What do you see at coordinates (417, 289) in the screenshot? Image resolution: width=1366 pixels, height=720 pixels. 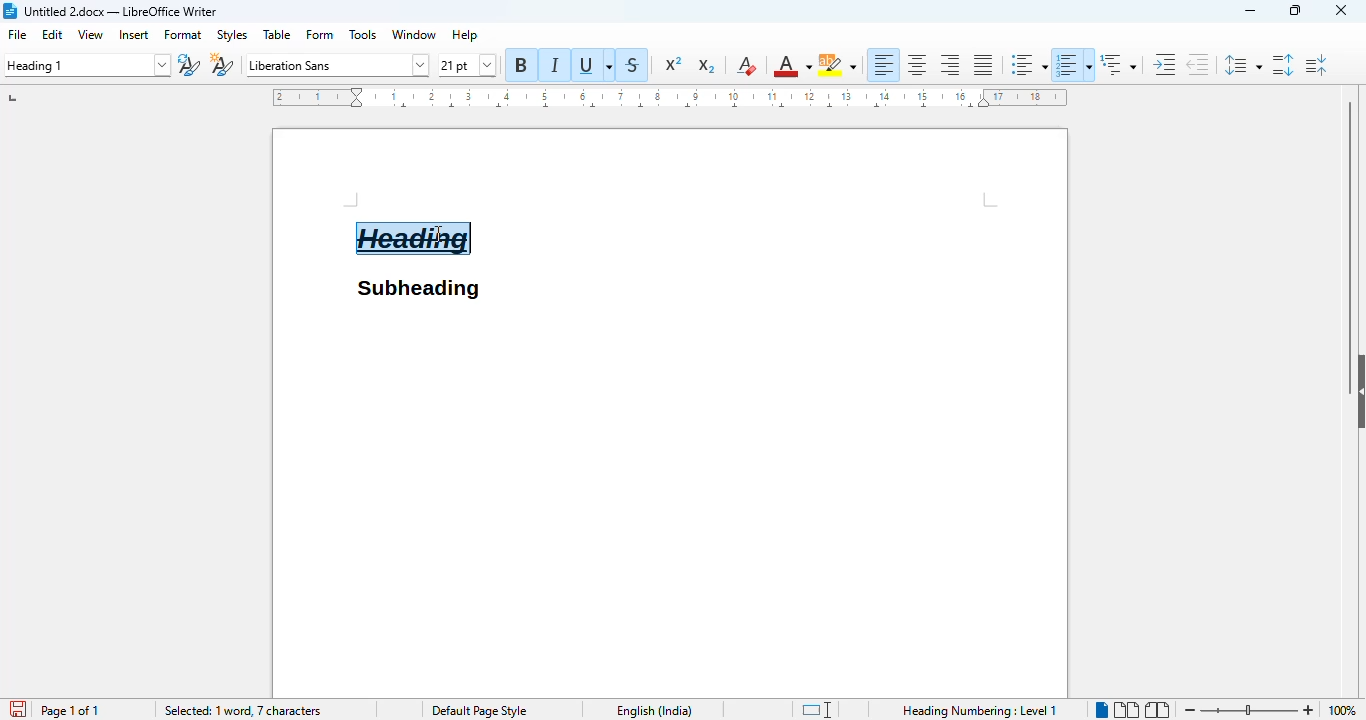 I see `text` at bounding box center [417, 289].